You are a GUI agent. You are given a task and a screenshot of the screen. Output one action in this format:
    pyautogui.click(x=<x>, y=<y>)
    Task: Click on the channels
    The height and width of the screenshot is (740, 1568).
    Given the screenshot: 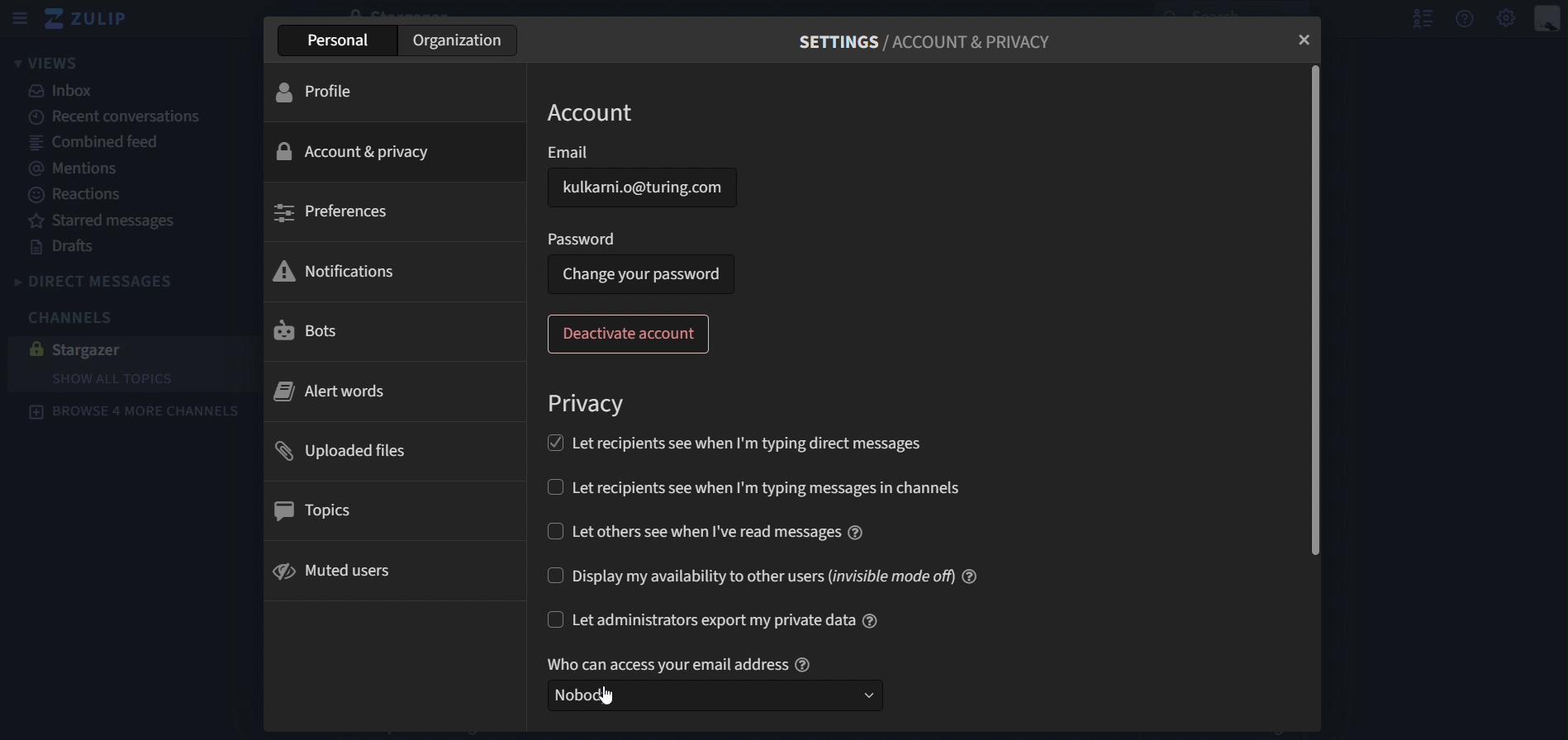 What is the action you would take?
    pyautogui.click(x=66, y=316)
    